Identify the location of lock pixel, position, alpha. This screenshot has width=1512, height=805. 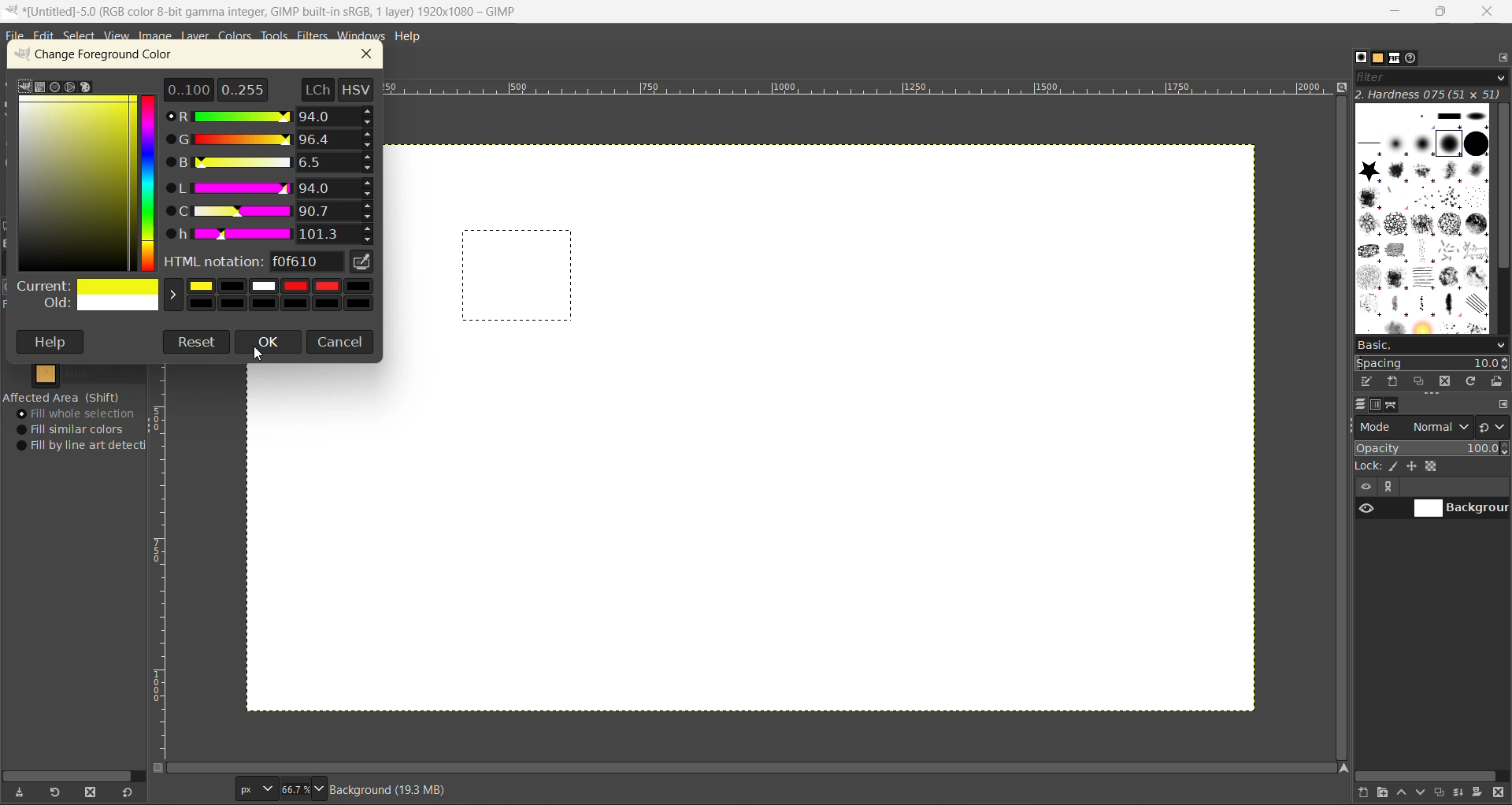
(1432, 468).